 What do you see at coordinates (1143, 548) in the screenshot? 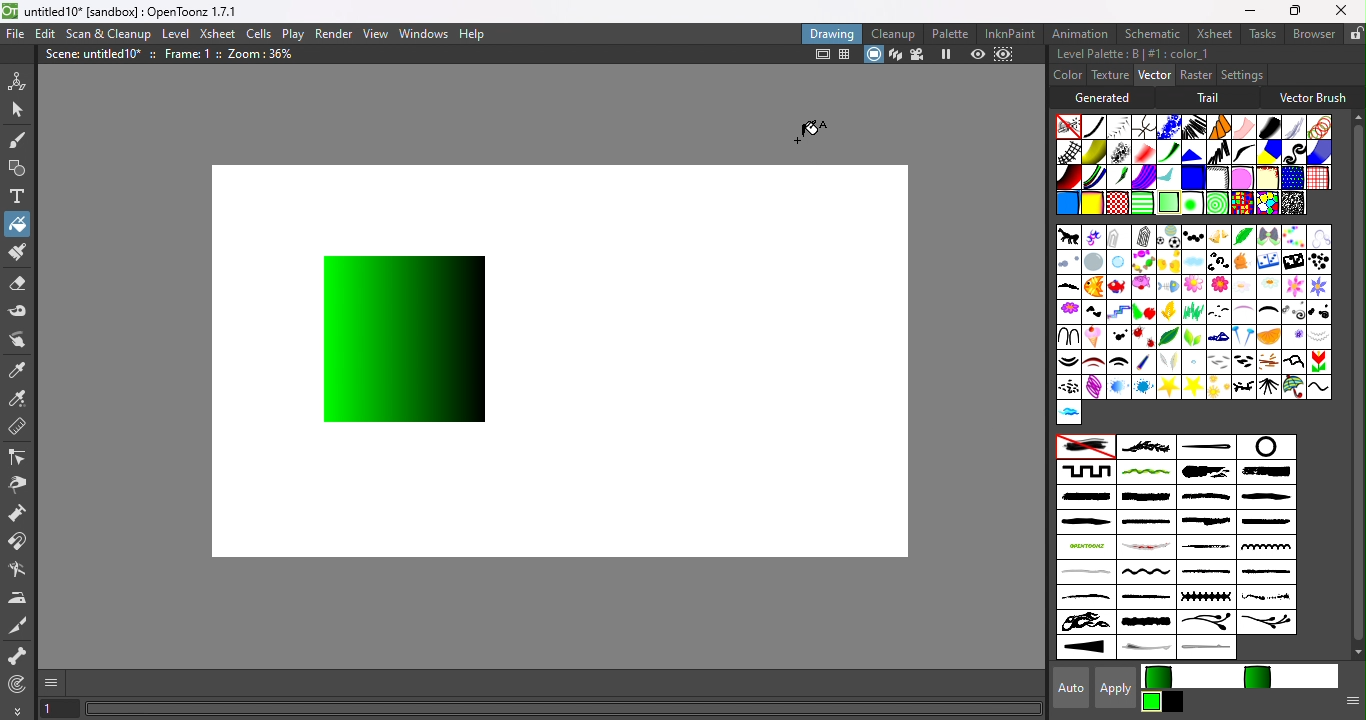
I see `scratch` at bounding box center [1143, 548].